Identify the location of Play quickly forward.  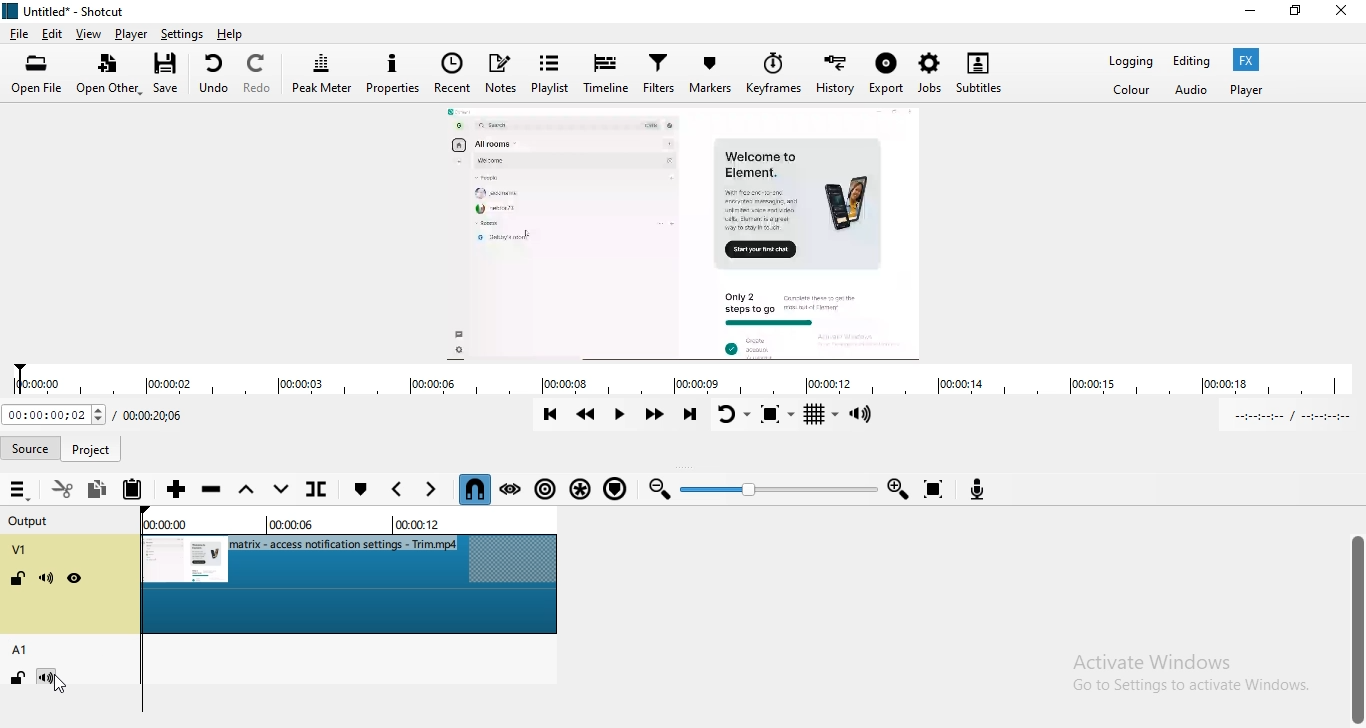
(656, 416).